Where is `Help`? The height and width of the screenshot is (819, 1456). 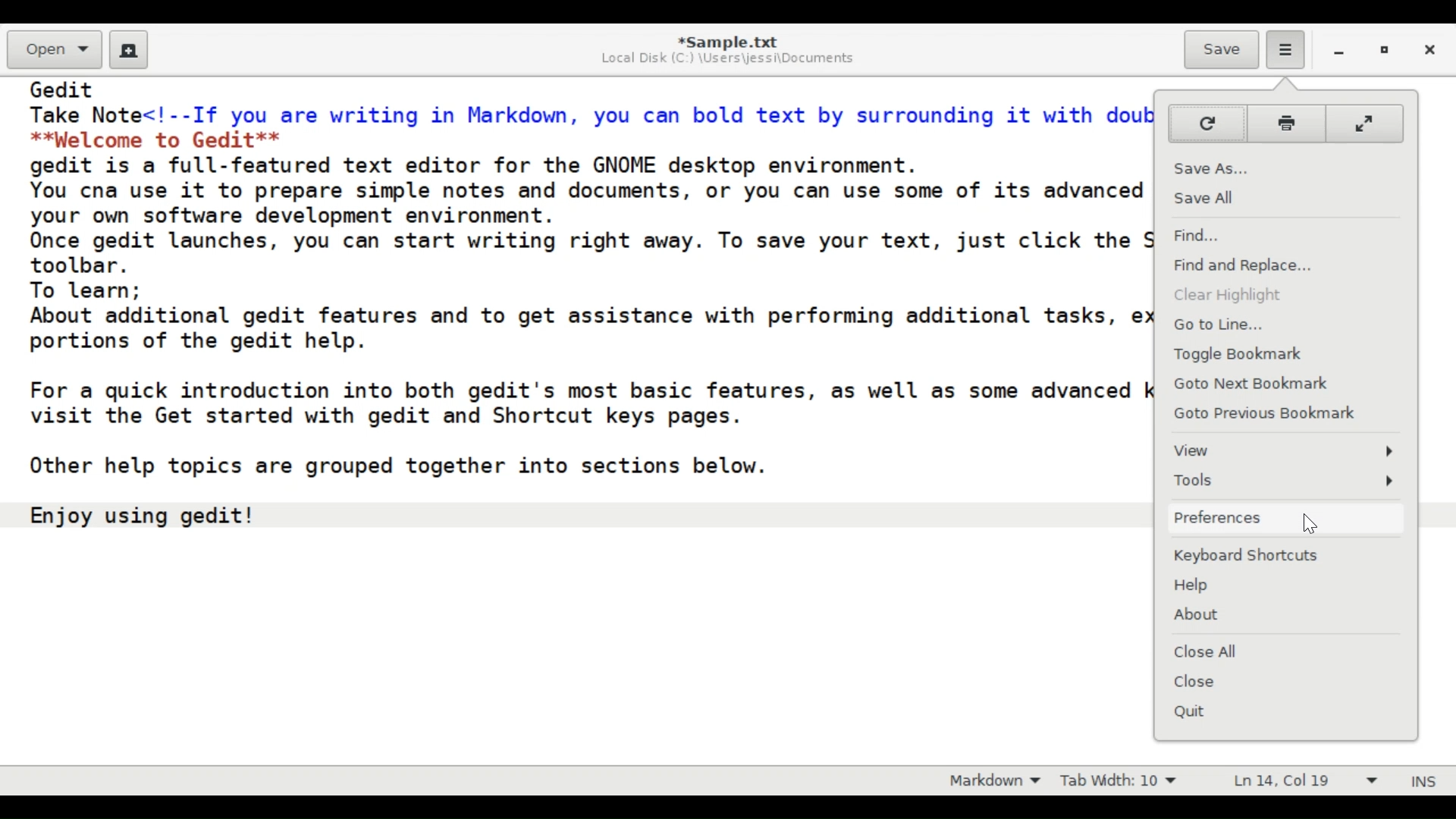 Help is located at coordinates (1288, 588).